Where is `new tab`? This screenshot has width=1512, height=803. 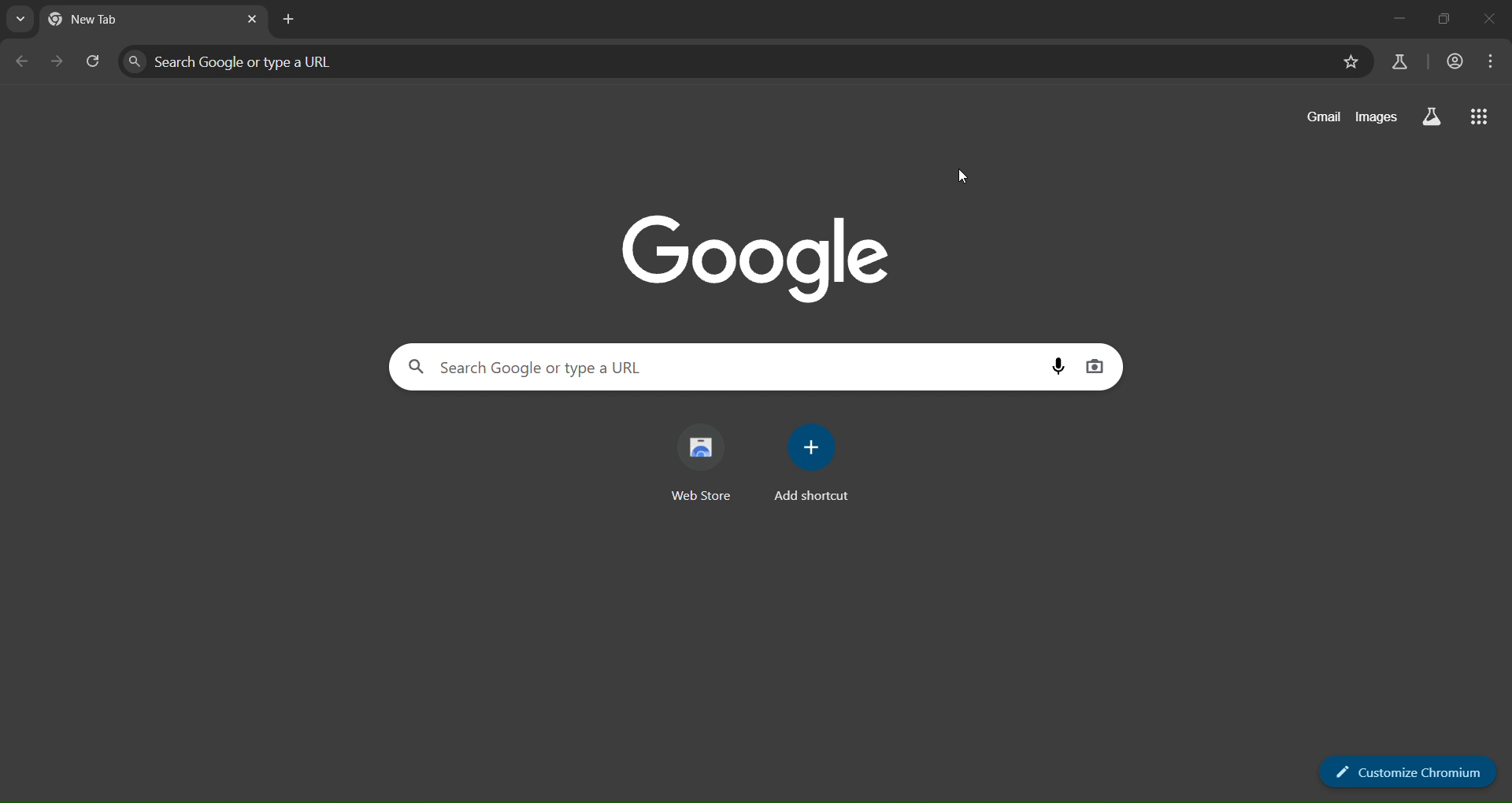 new tab is located at coordinates (287, 19).